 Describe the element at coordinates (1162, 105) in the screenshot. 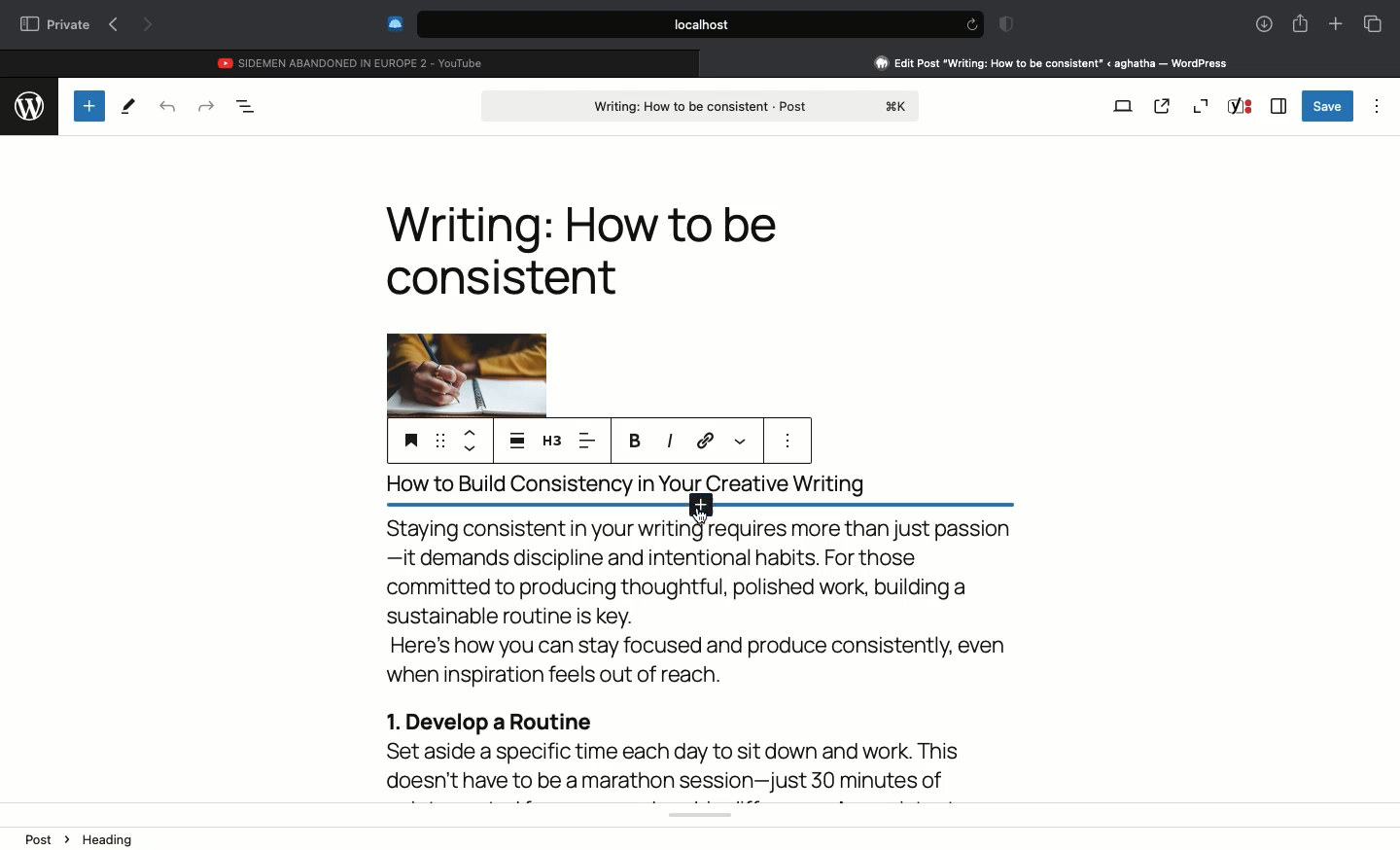

I see `View post` at that location.